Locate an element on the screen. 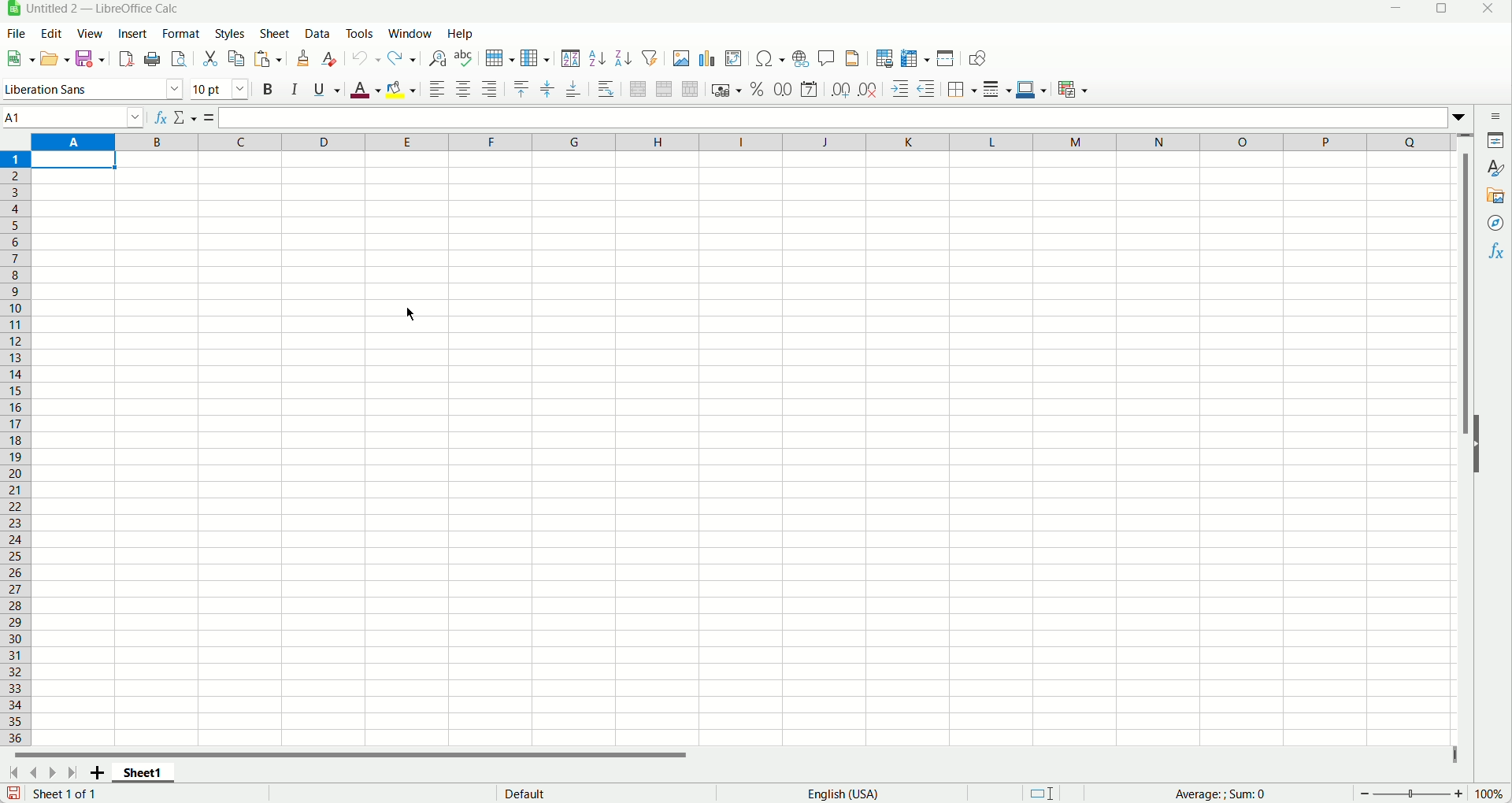  center vertically is located at coordinates (548, 87).